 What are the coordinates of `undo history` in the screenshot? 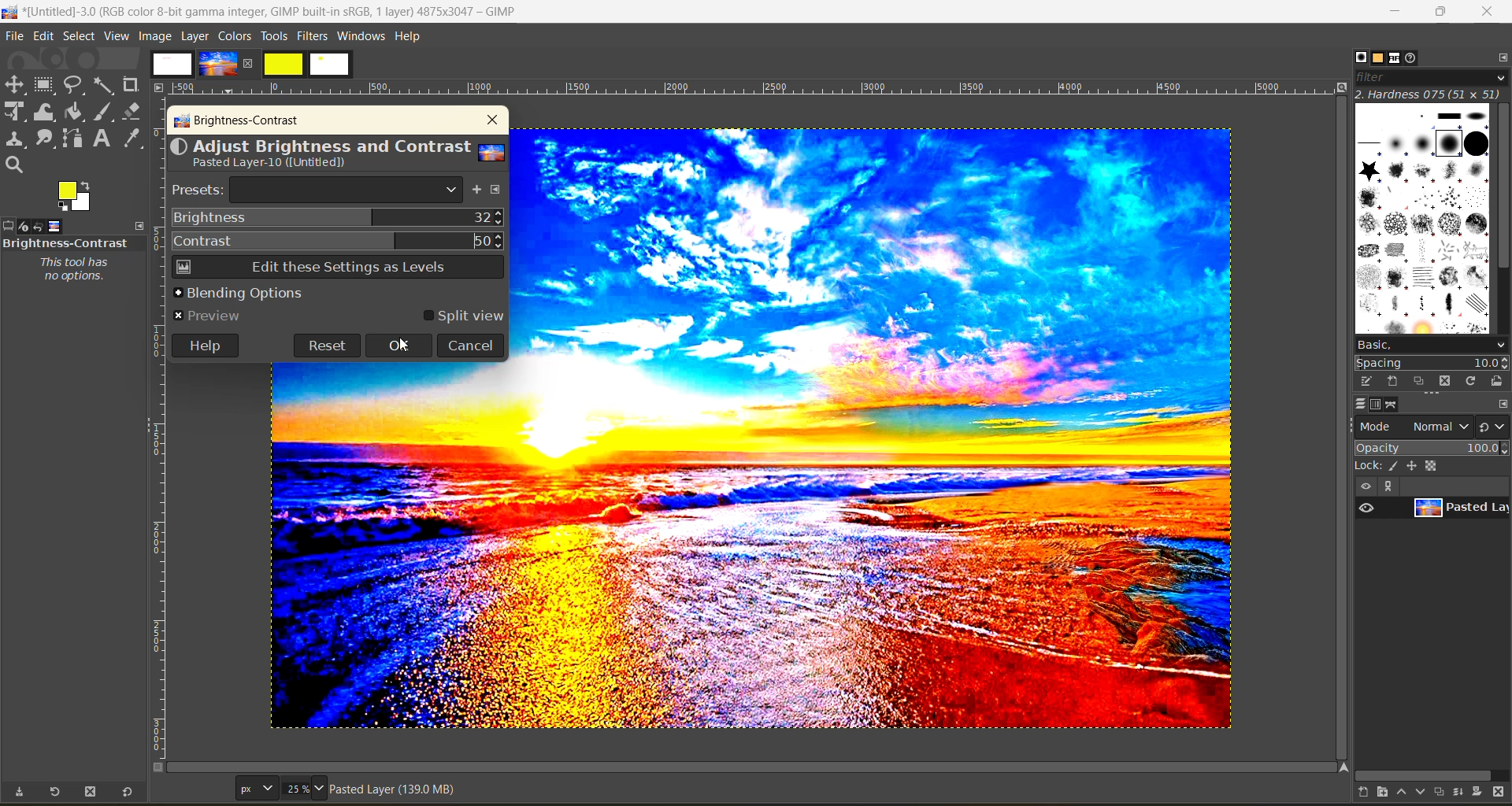 It's located at (37, 227).